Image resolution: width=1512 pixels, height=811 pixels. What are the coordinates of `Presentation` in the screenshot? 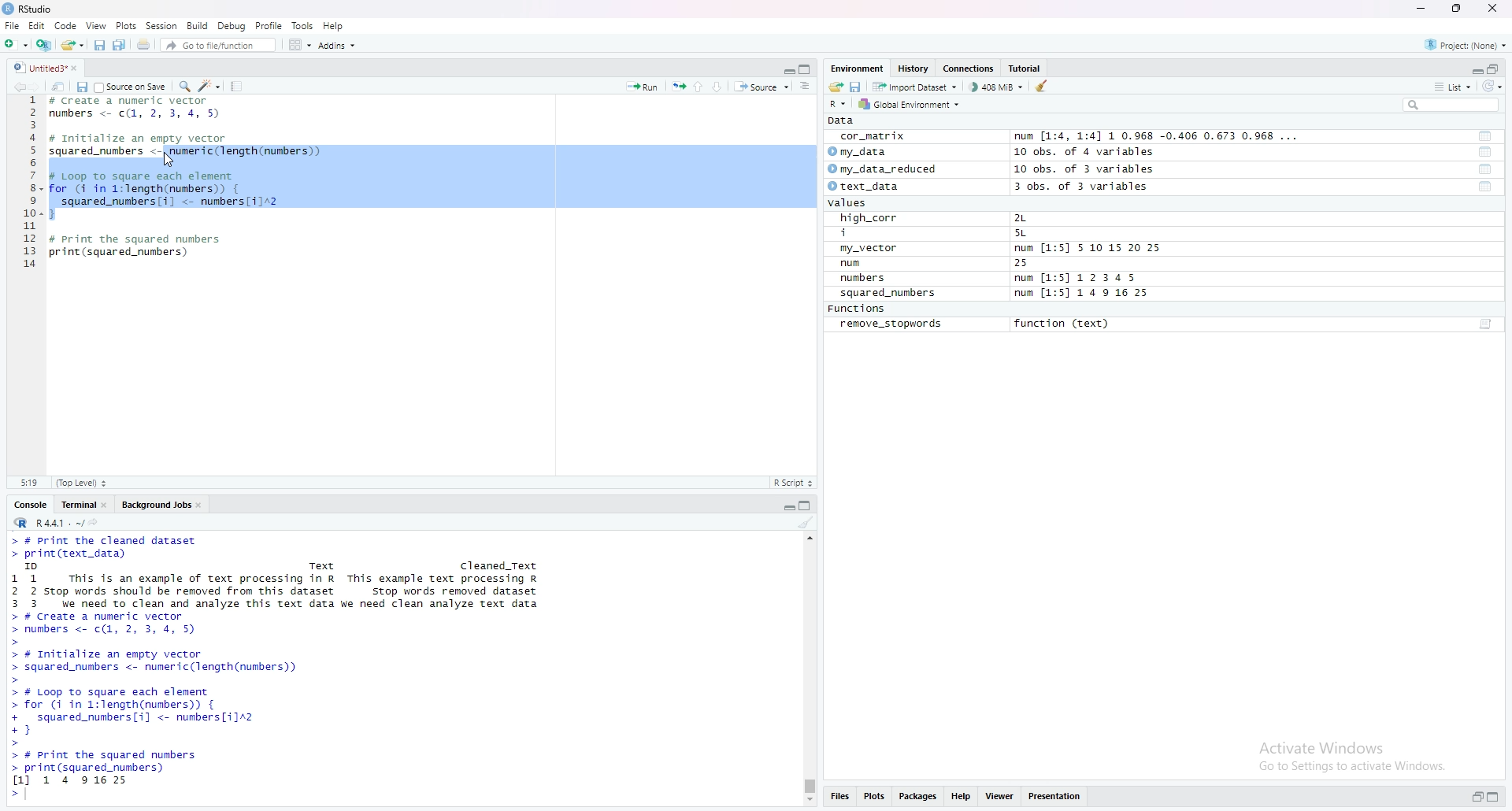 It's located at (1055, 797).